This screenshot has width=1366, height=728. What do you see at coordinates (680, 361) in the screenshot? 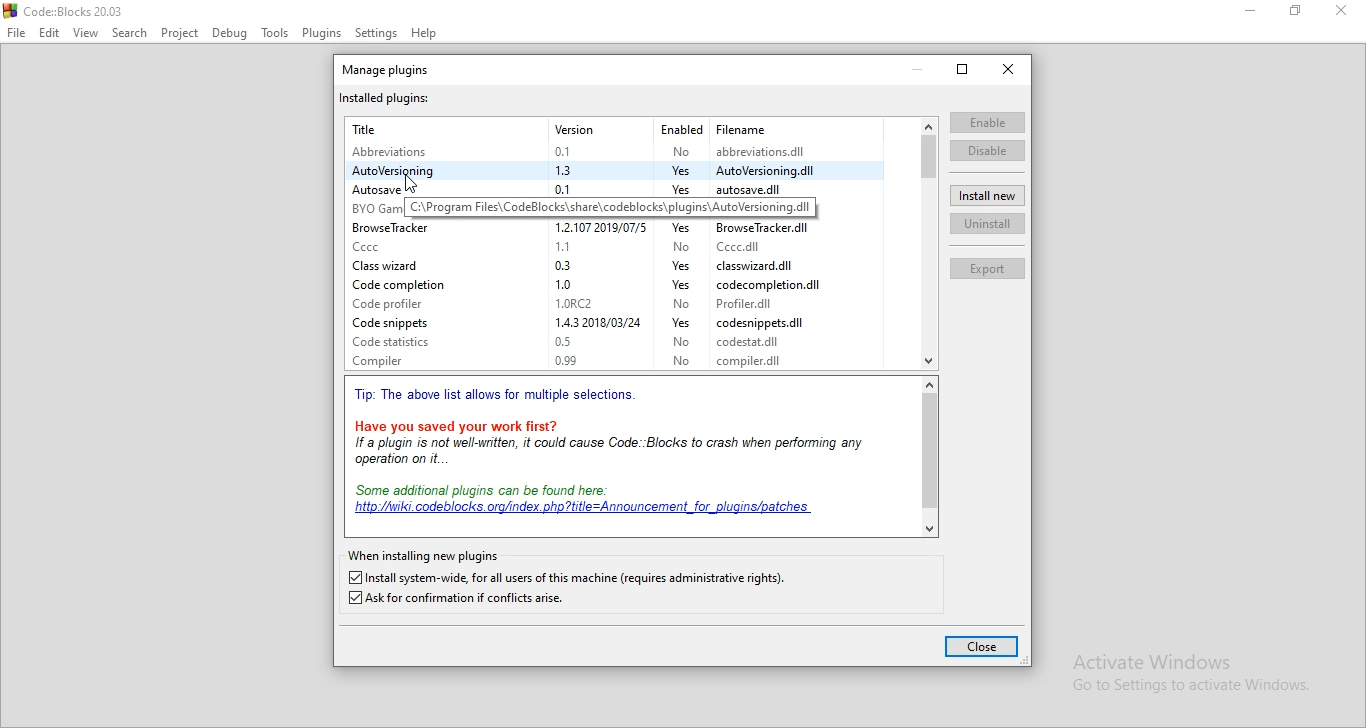
I see `No` at bounding box center [680, 361].